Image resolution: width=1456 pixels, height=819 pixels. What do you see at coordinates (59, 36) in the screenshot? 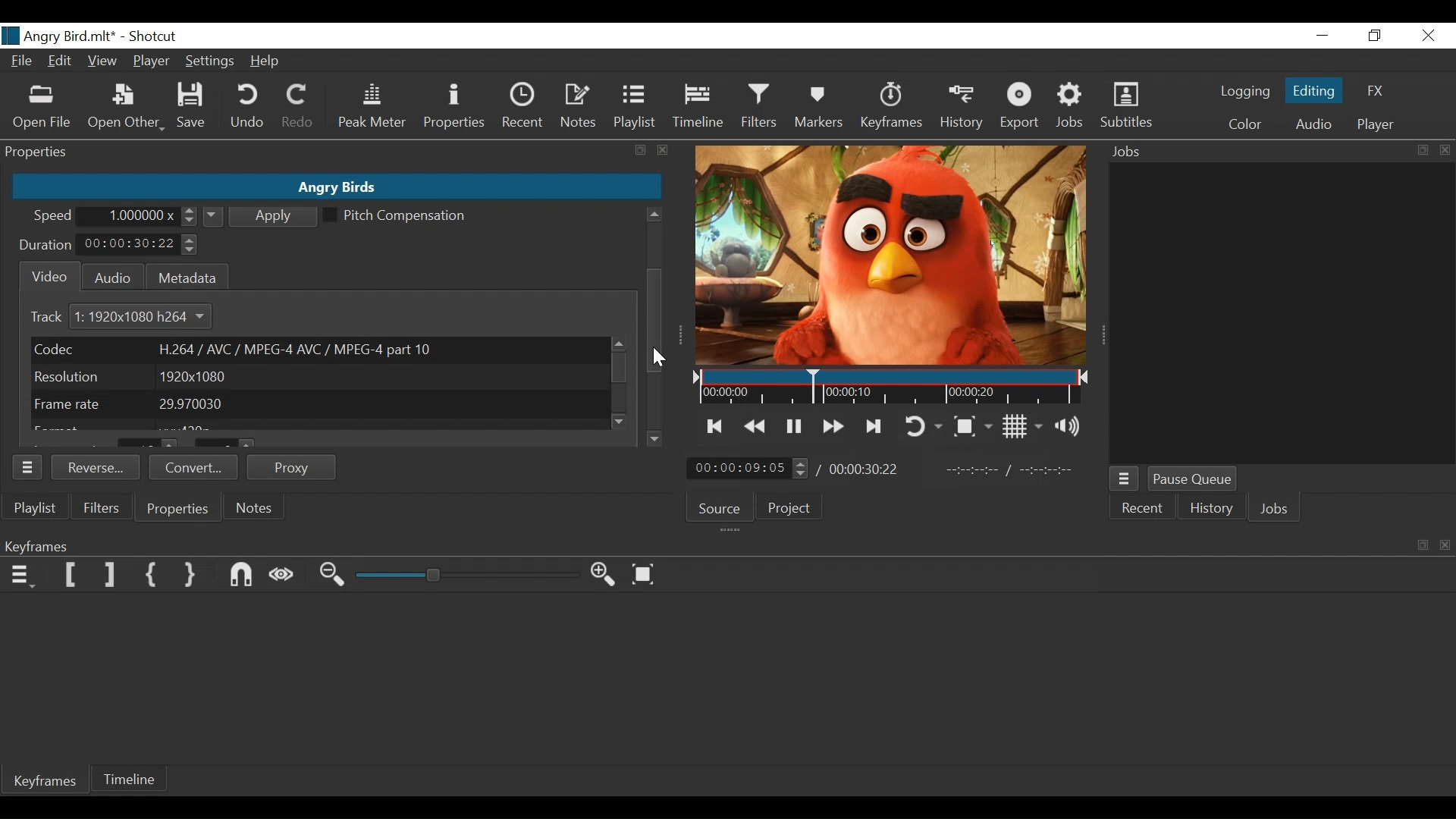
I see `File Name` at bounding box center [59, 36].